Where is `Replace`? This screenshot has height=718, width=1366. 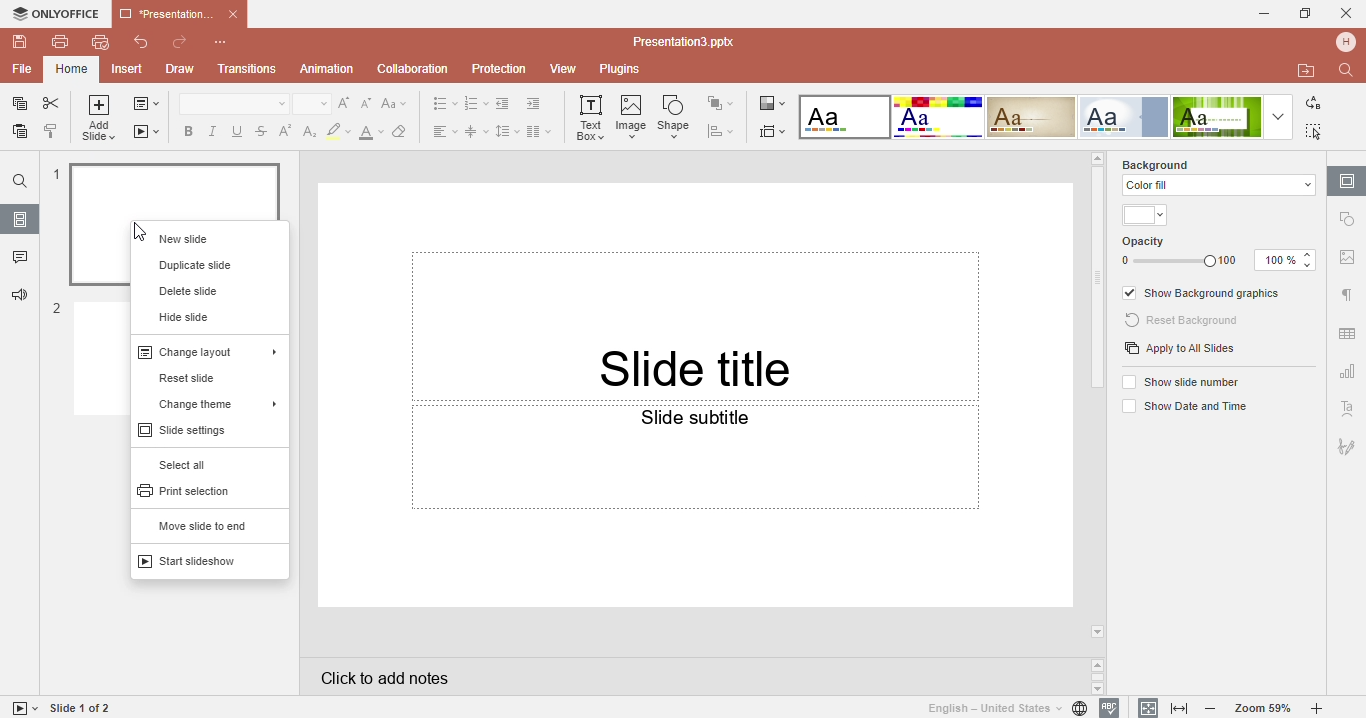 Replace is located at coordinates (1312, 104).